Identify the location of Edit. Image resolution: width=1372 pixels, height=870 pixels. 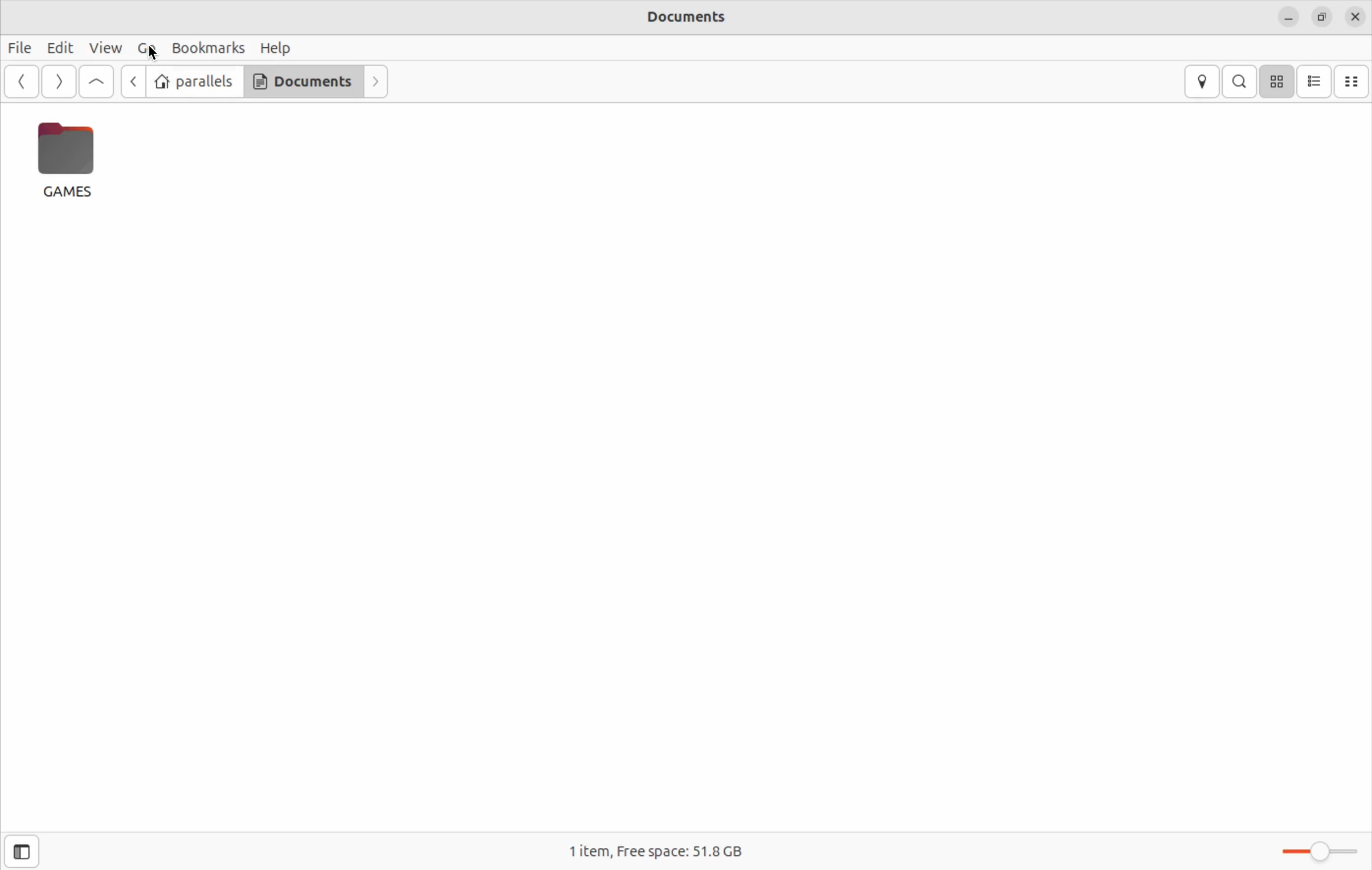
(60, 47).